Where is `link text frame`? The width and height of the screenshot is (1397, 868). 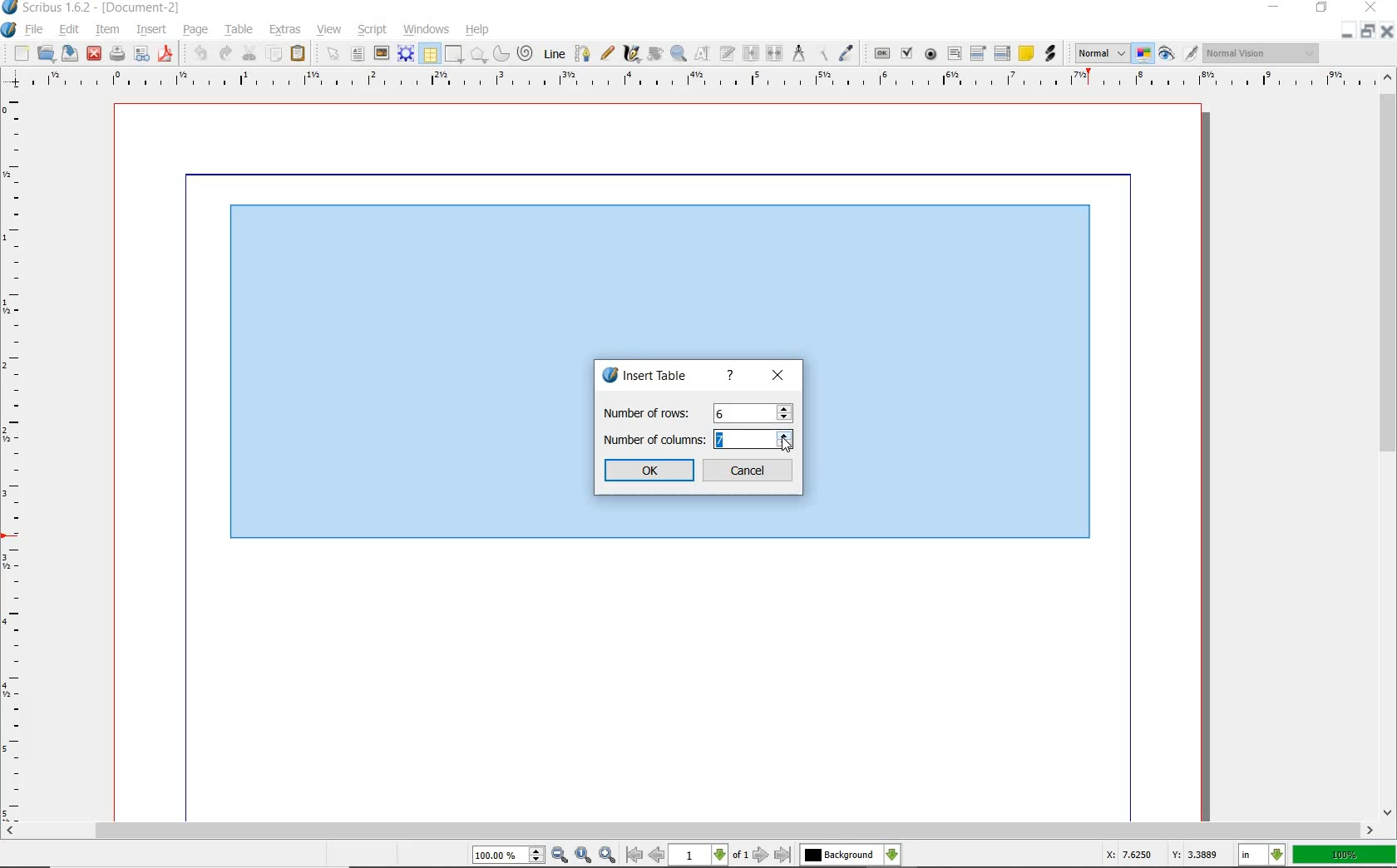
link text frame is located at coordinates (749, 54).